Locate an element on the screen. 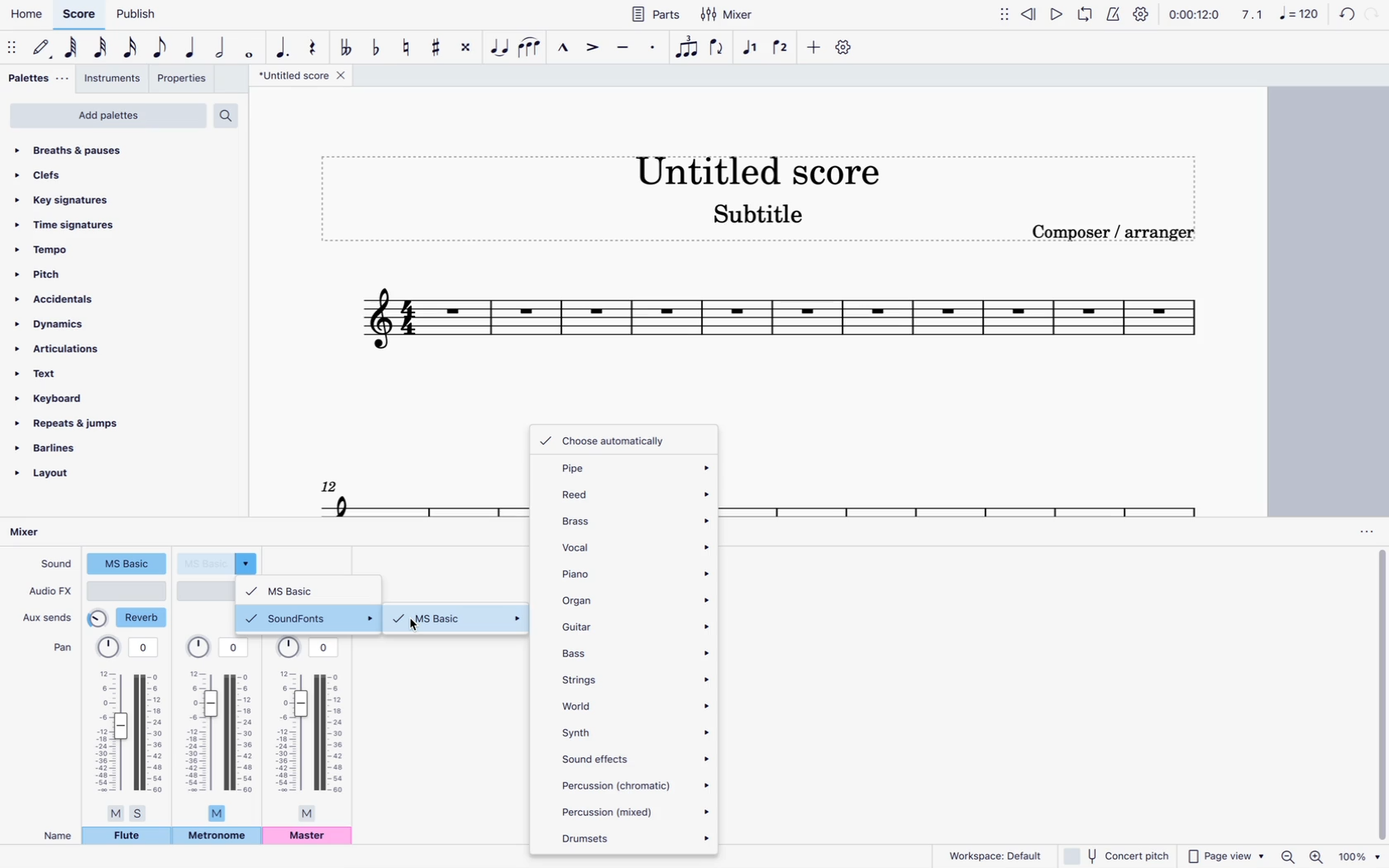 The image size is (1389, 868). pan is located at coordinates (222, 730).